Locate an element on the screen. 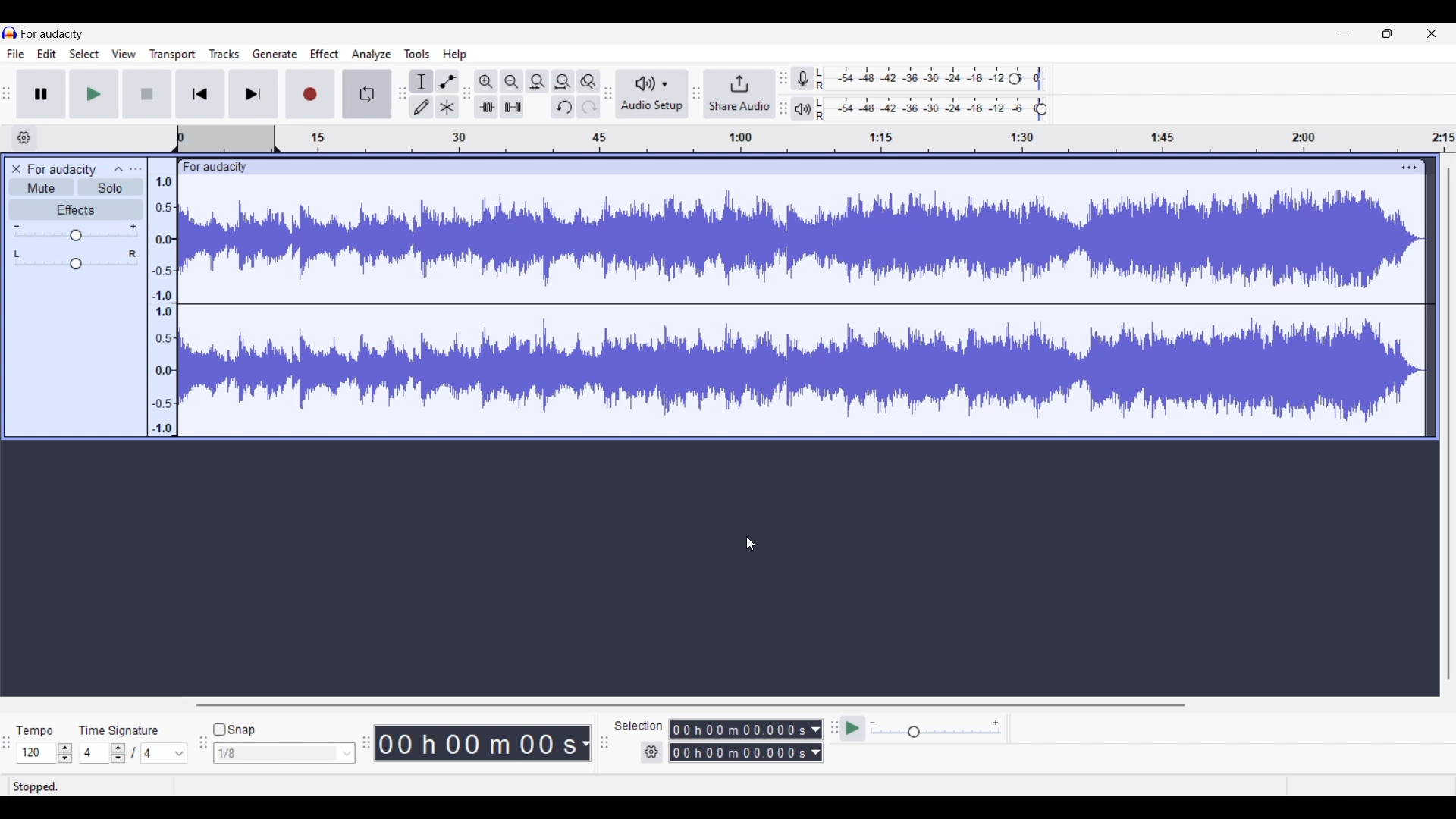  Tools menu is located at coordinates (418, 55).